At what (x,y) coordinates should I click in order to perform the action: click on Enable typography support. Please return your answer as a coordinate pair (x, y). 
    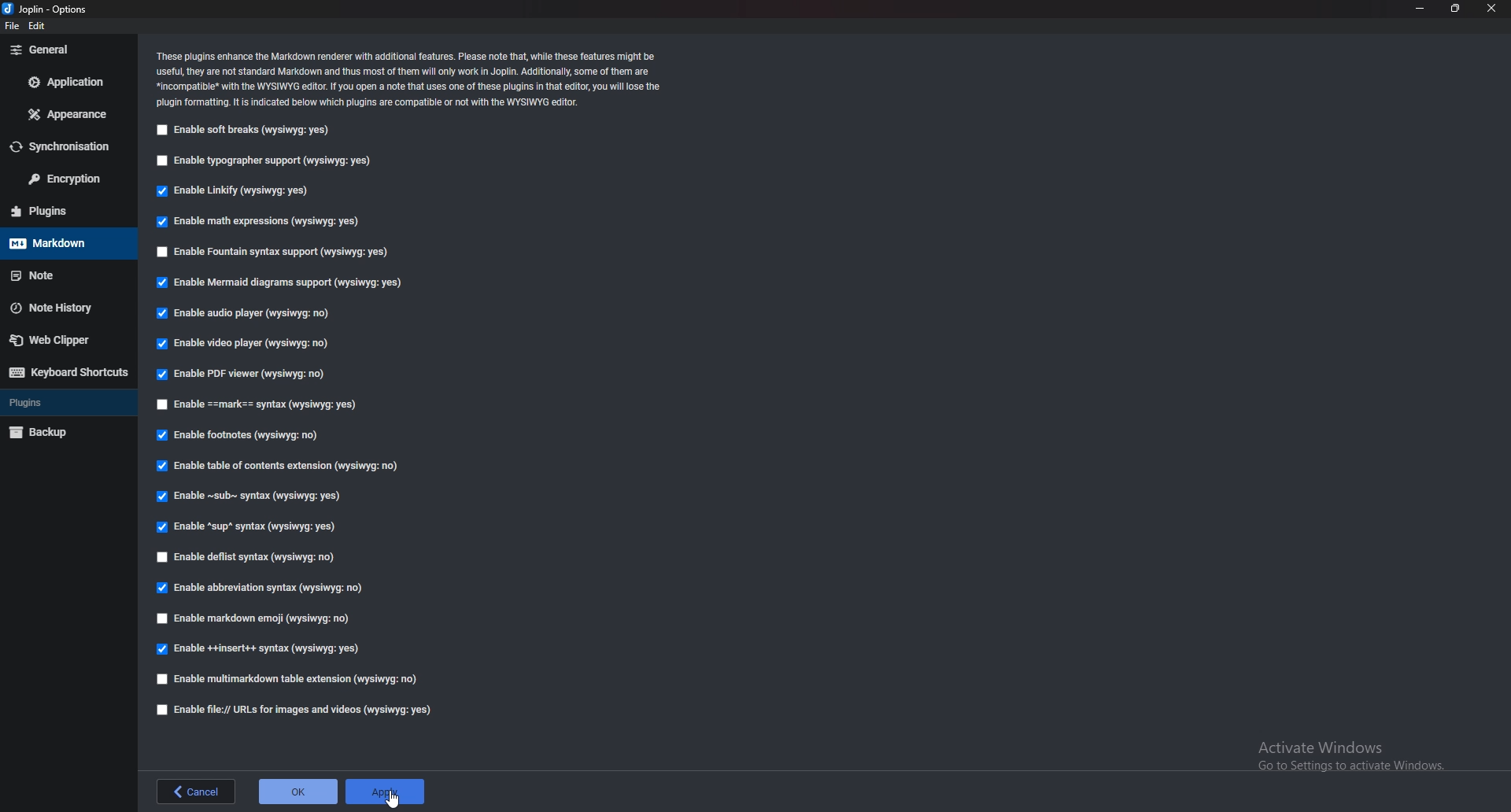
    Looking at the image, I should click on (268, 162).